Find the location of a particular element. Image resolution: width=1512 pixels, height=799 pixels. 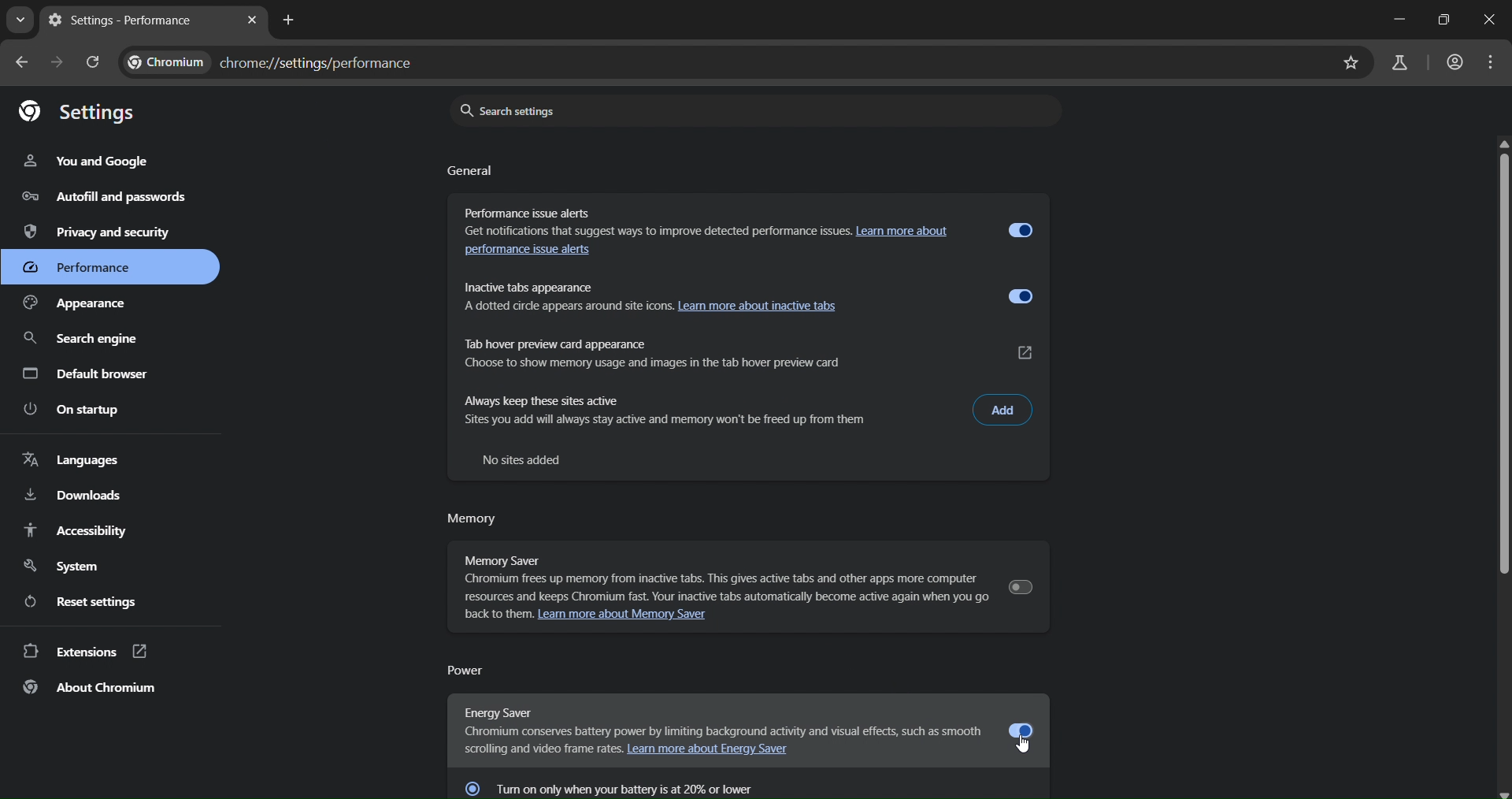

about chromium is located at coordinates (91, 688).